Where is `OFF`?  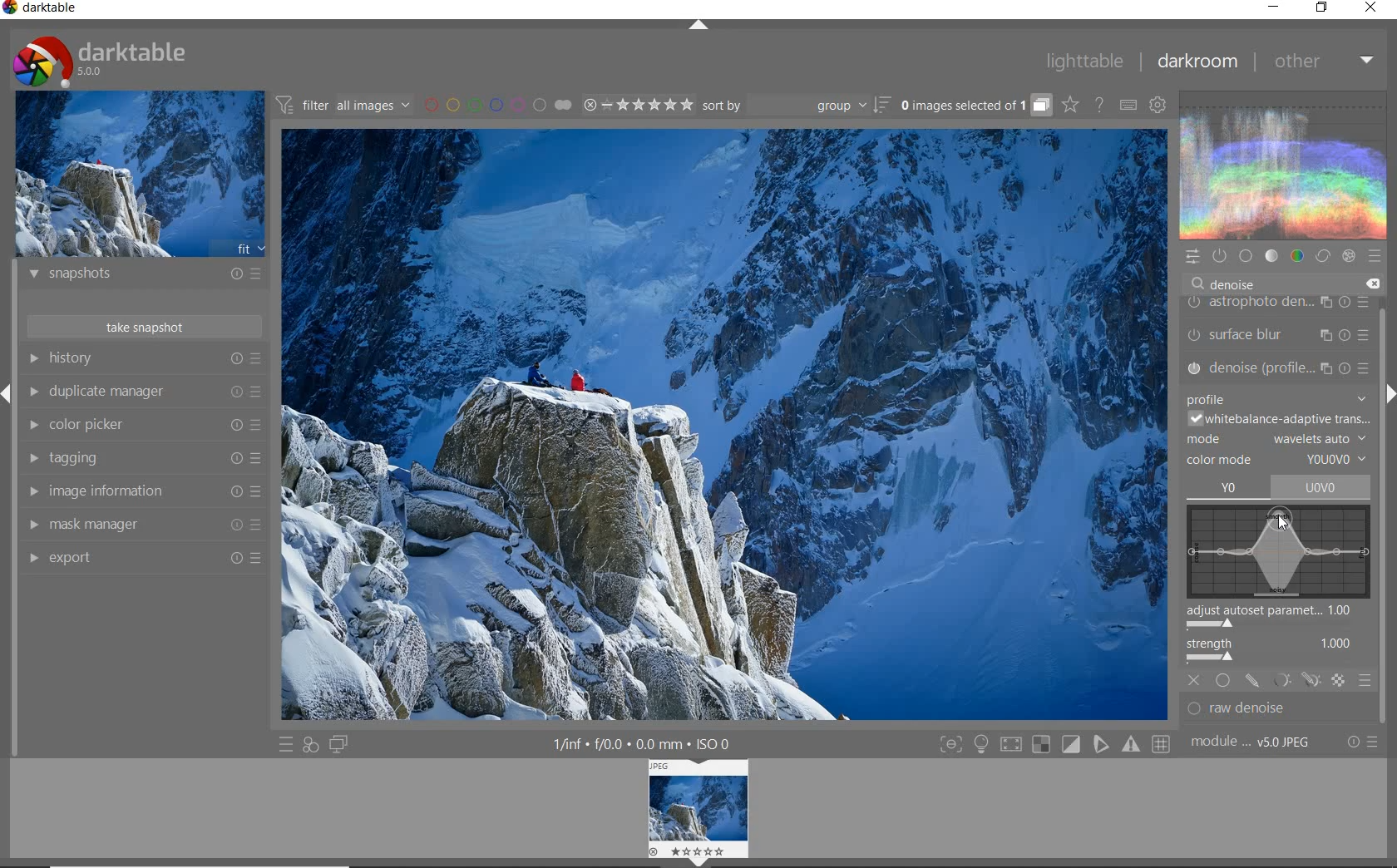 OFF is located at coordinates (1195, 679).